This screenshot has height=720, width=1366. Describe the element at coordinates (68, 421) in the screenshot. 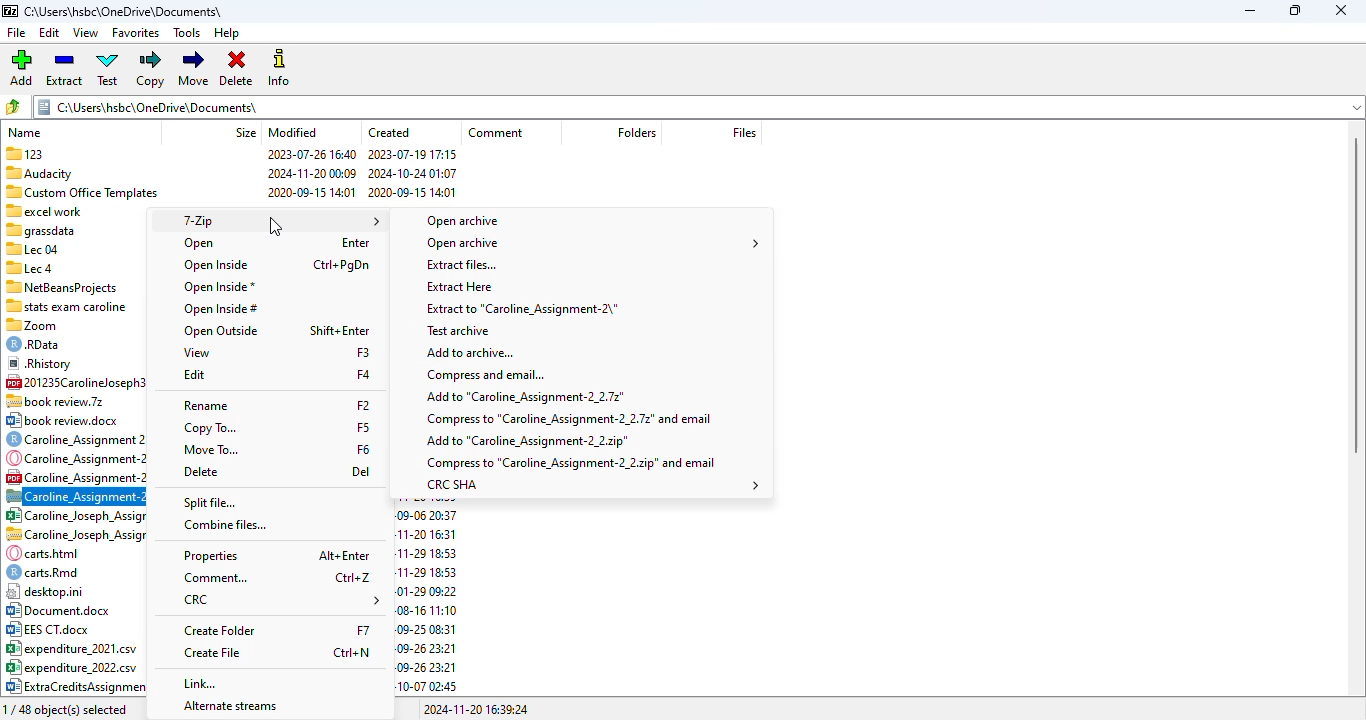

I see `03: book review.docx 12655 2020-09-24 10:44 2020-09-25 08:31` at that location.